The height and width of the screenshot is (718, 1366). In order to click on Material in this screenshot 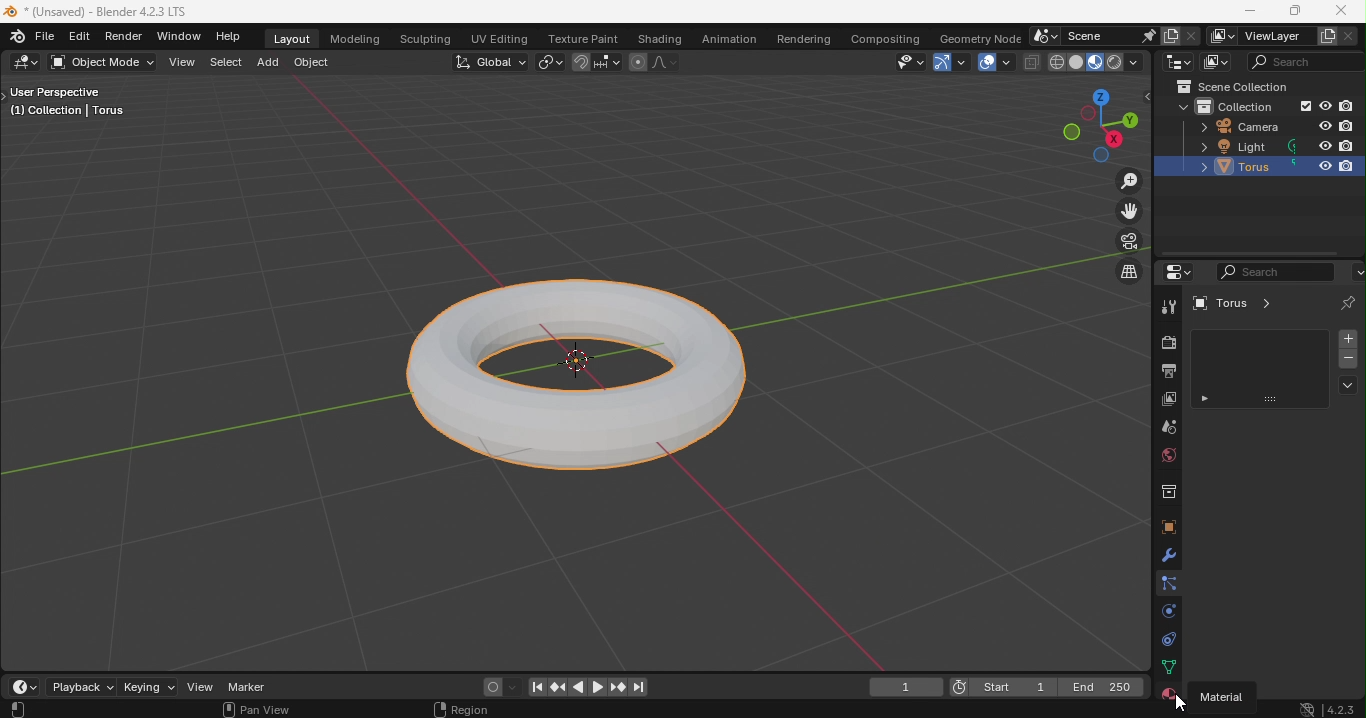, I will do `click(1229, 696)`.